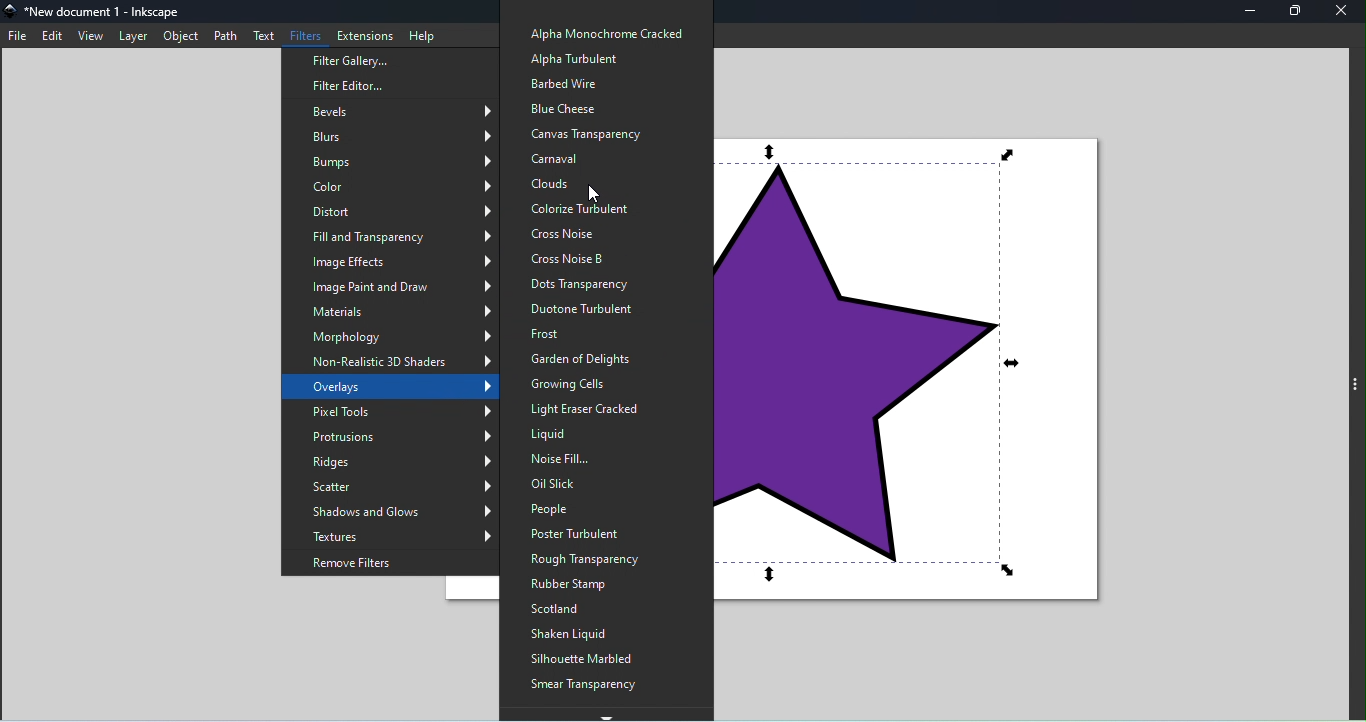 This screenshot has height=722, width=1366. Describe the element at coordinates (597, 183) in the screenshot. I see `Clouds` at that location.